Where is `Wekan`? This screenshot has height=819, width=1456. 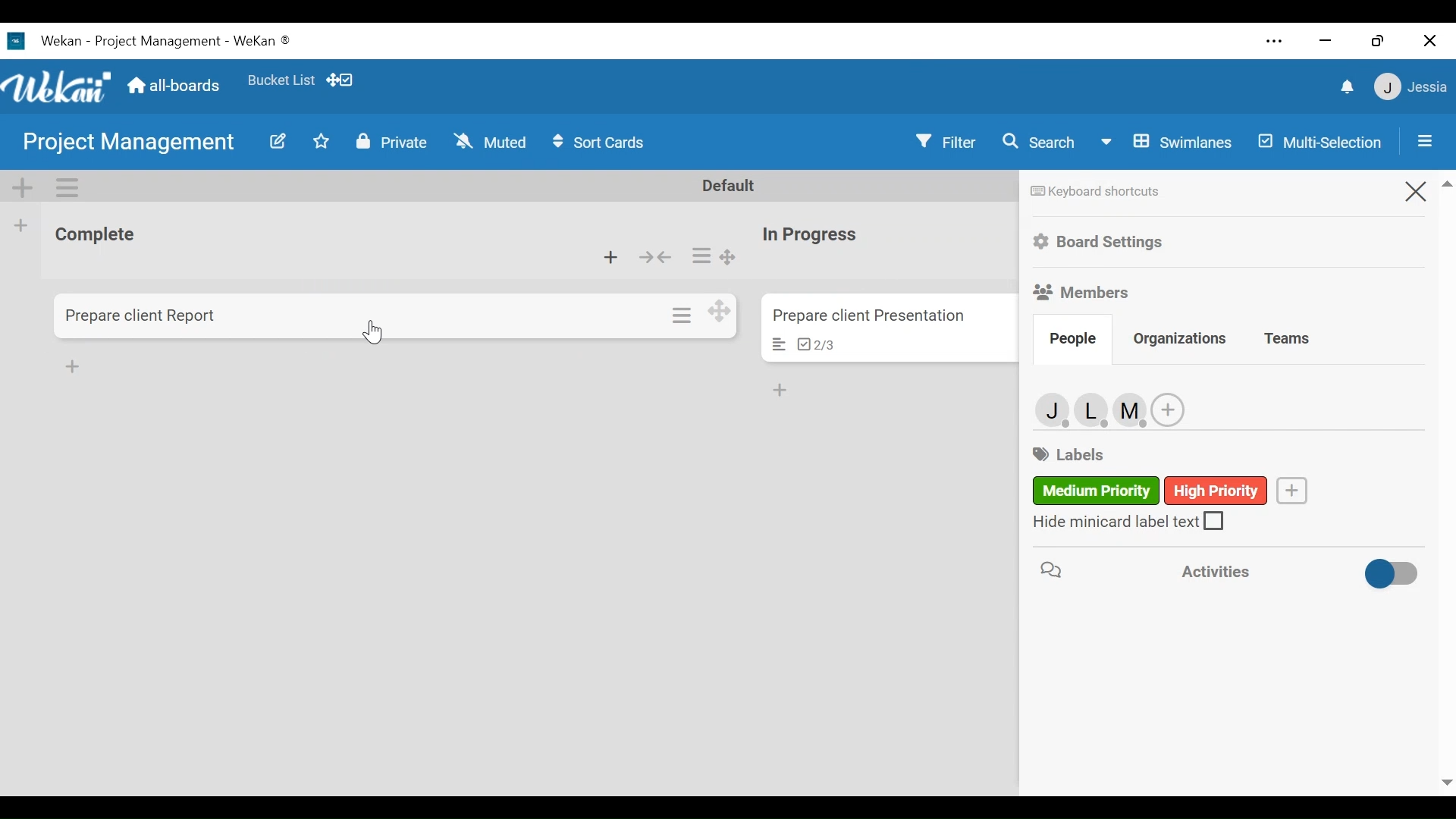
Wekan is located at coordinates (48, 42).